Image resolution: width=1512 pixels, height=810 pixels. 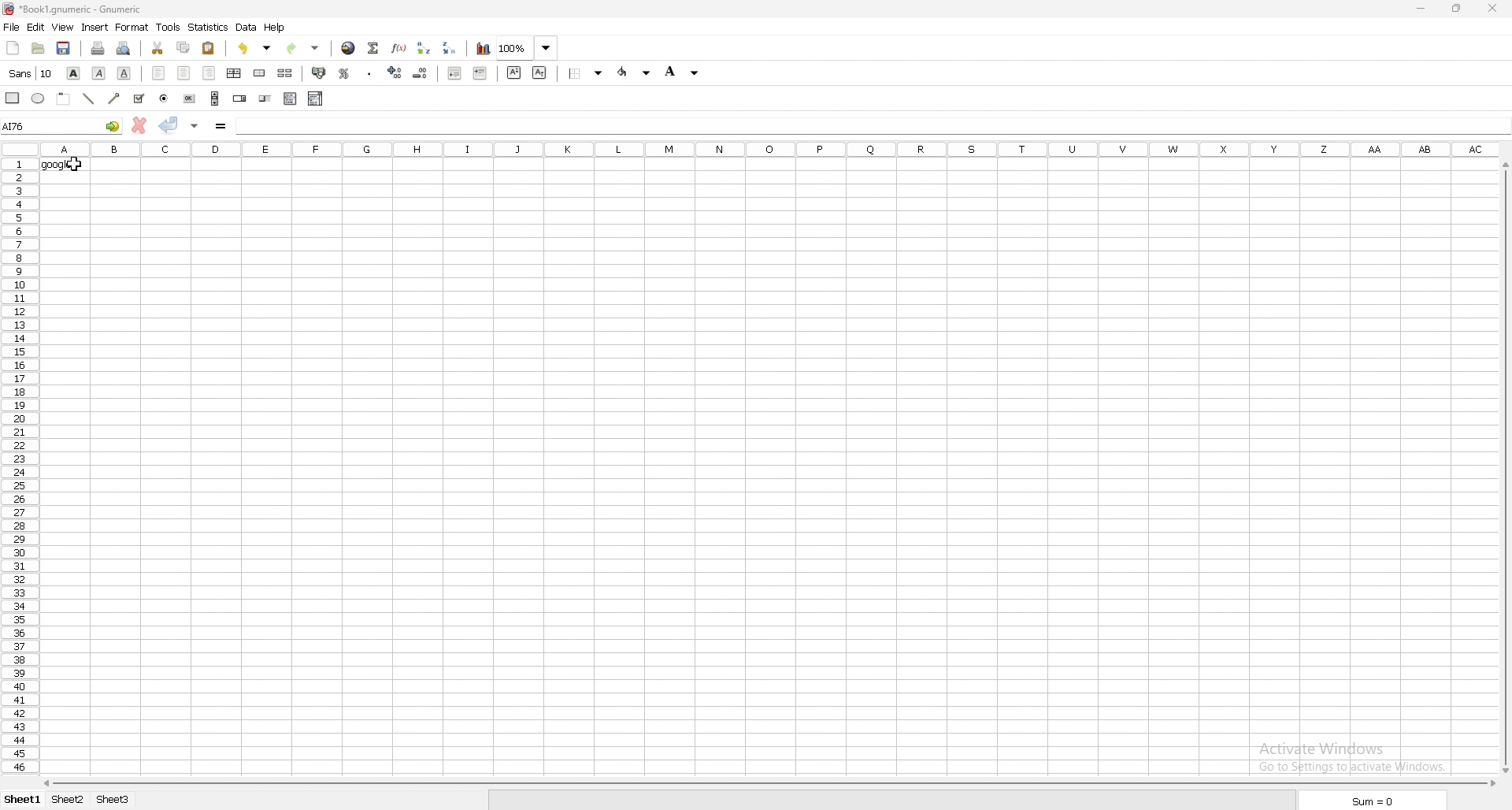 What do you see at coordinates (183, 47) in the screenshot?
I see `copy` at bounding box center [183, 47].